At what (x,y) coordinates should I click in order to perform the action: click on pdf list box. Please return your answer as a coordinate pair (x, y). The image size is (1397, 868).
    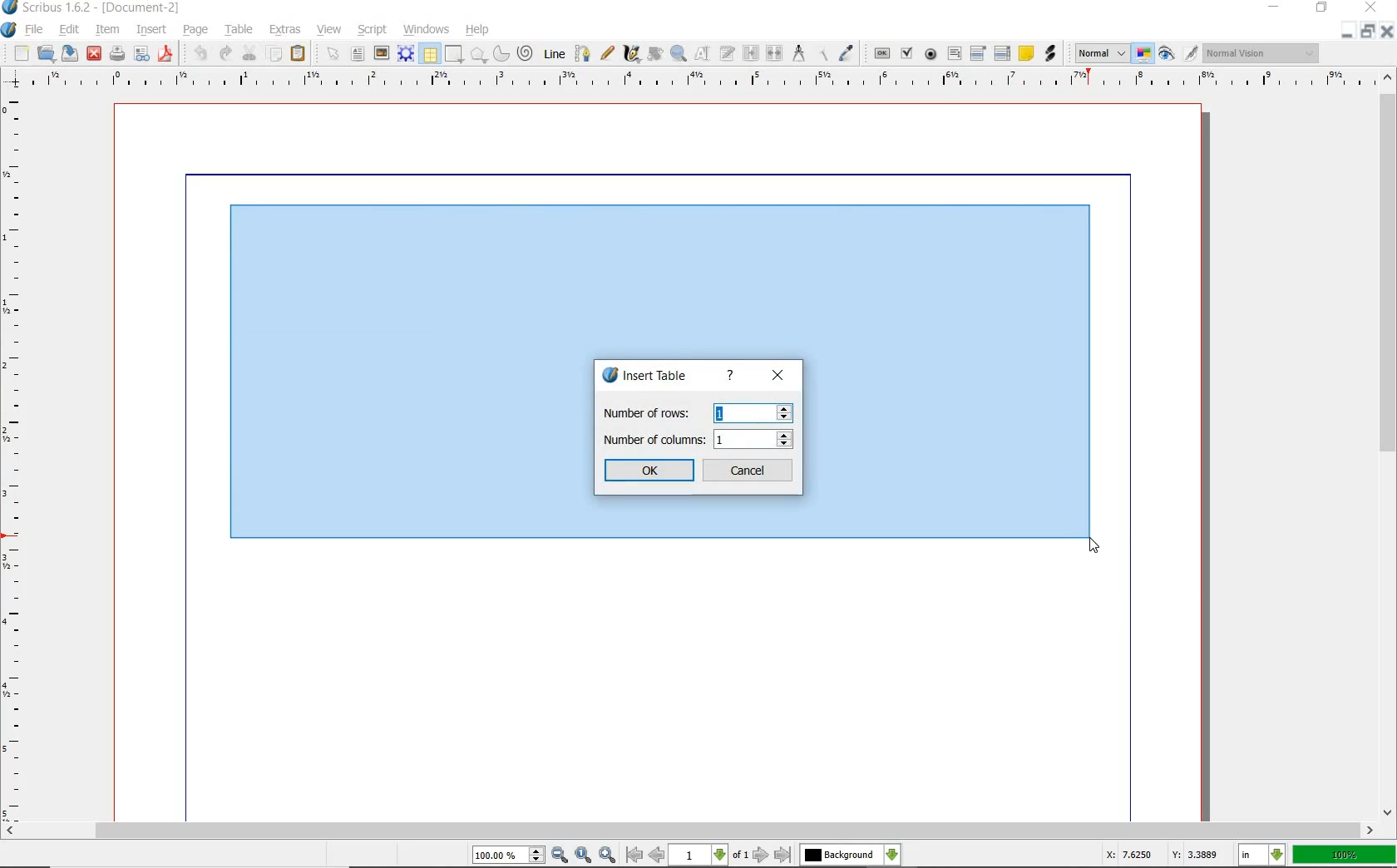
    Looking at the image, I should click on (1003, 52).